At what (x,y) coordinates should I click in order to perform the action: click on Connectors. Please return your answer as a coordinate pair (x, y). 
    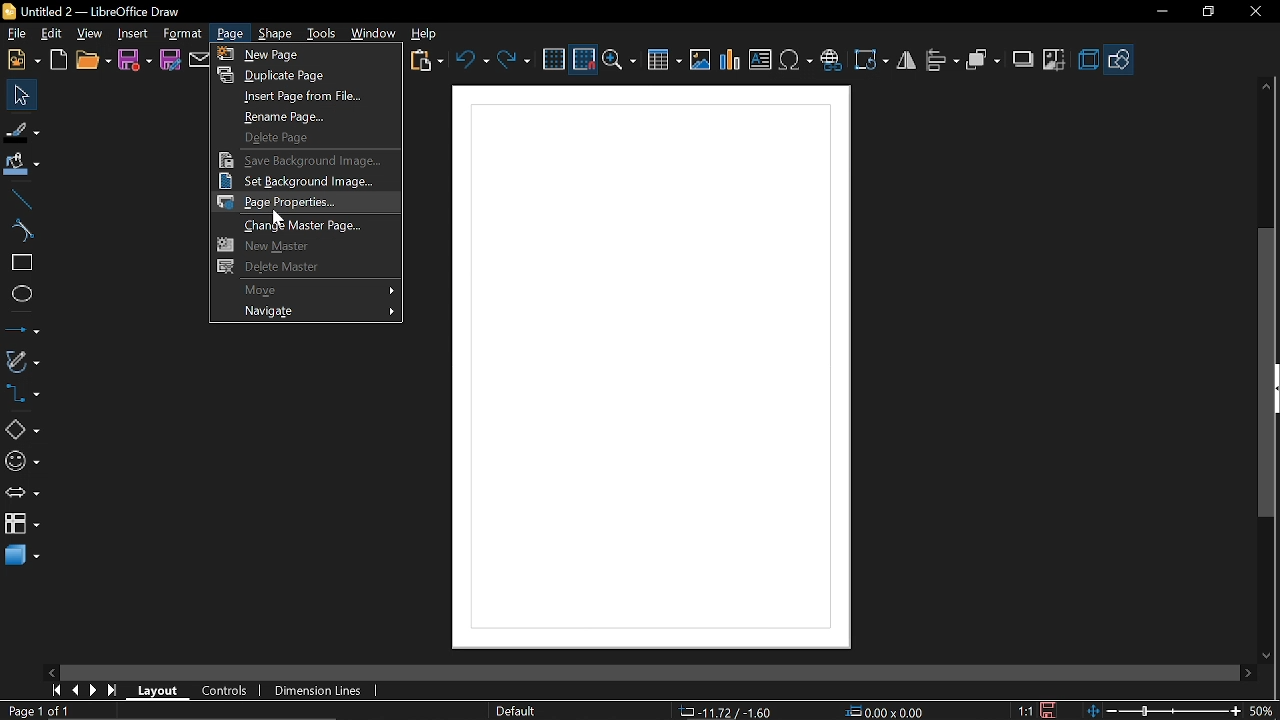
    Looking at the image, I should click on (22, 393).